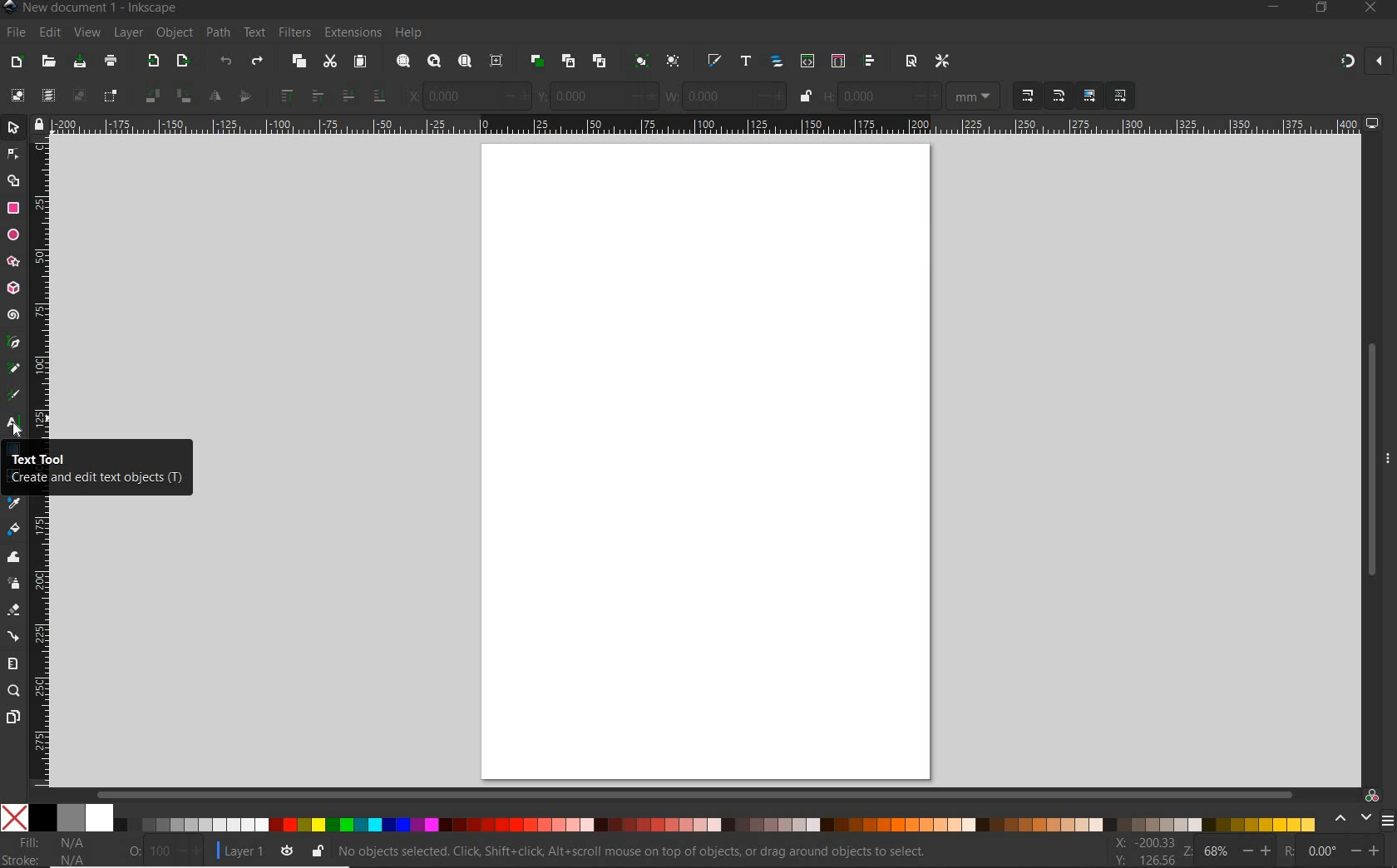 This screenshot has height=868, width=1397. Describe the element at coordinates (639, 61) in the screenshot. I see `group` at that location.